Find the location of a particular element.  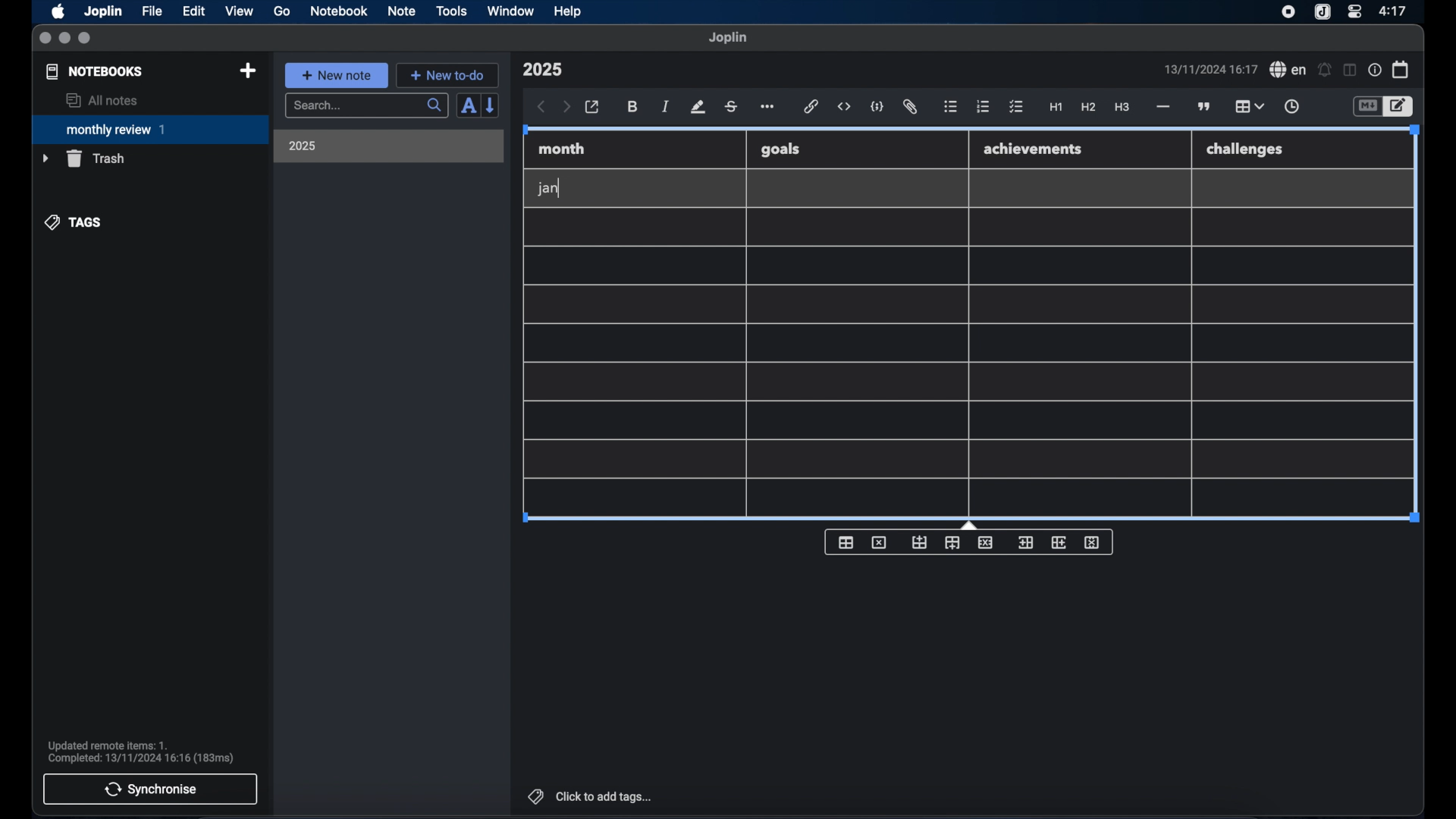

help is located at coordinates (569, 11).